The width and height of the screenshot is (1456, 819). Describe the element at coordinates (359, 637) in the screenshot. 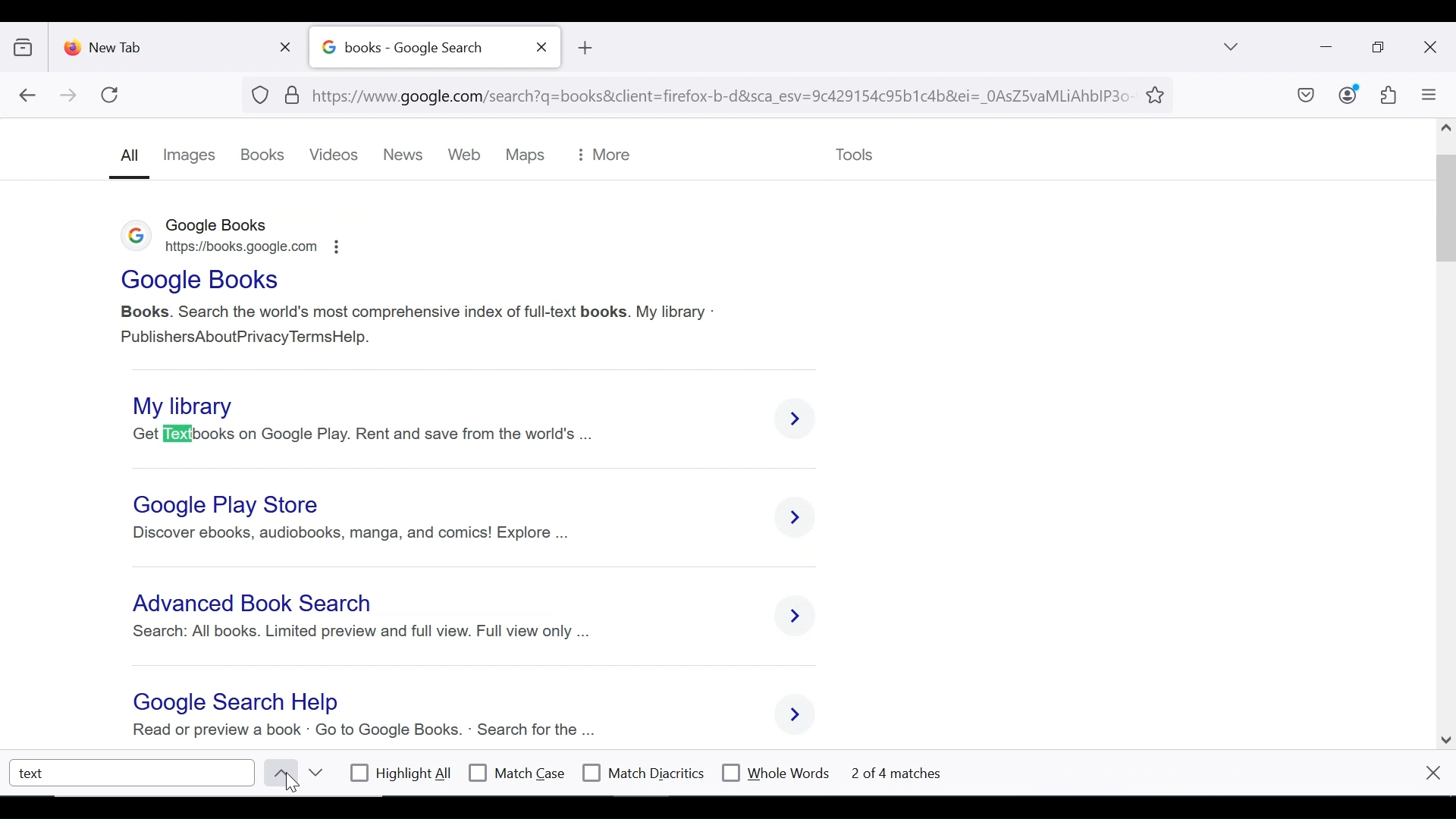

I see `search: all books. limited preview and full view. Full view only ...` at that location.